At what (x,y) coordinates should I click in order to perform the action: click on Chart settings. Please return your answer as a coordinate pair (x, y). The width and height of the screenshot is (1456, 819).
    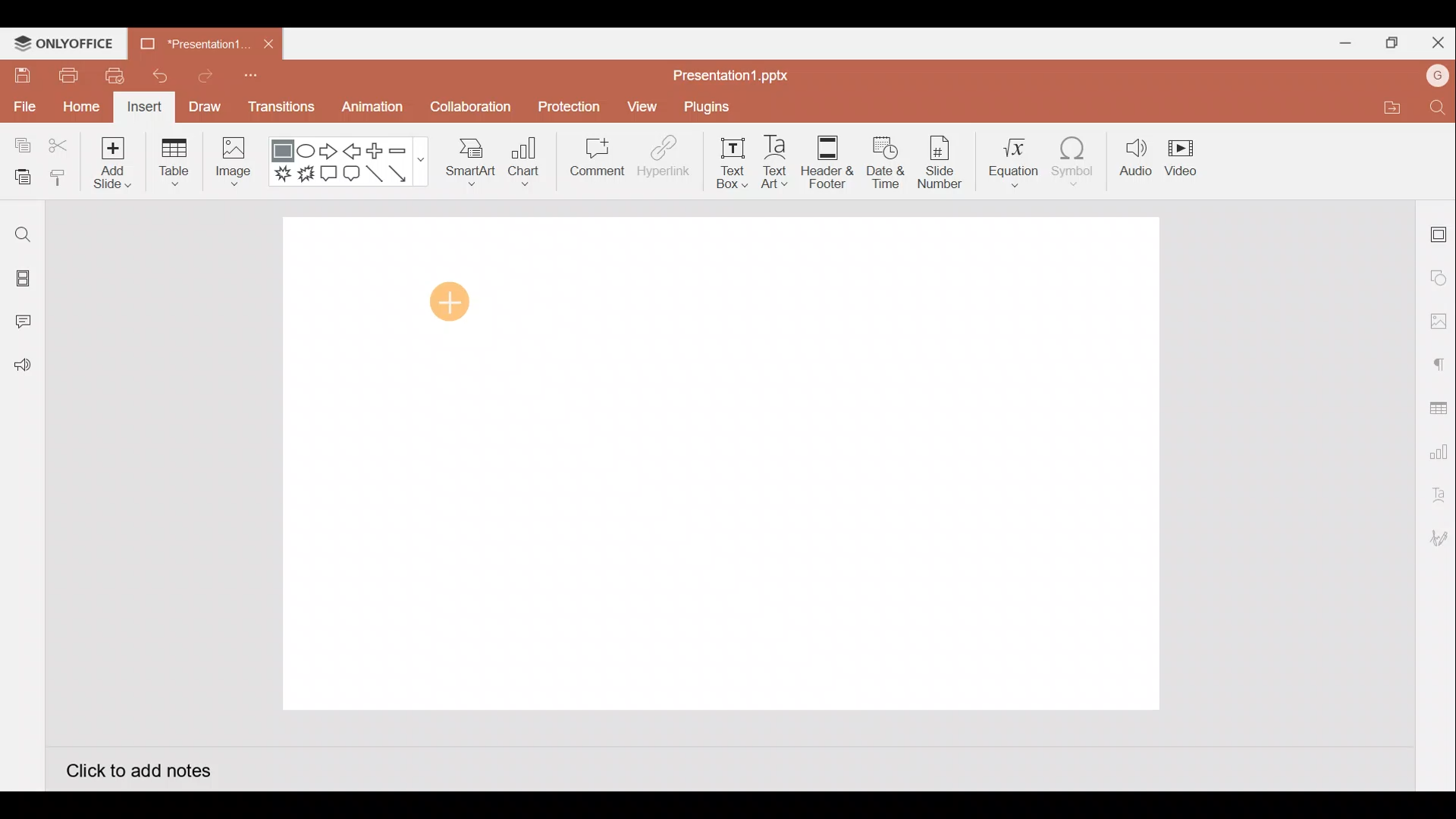
    Looking at the image, I should click on (1436, 449).